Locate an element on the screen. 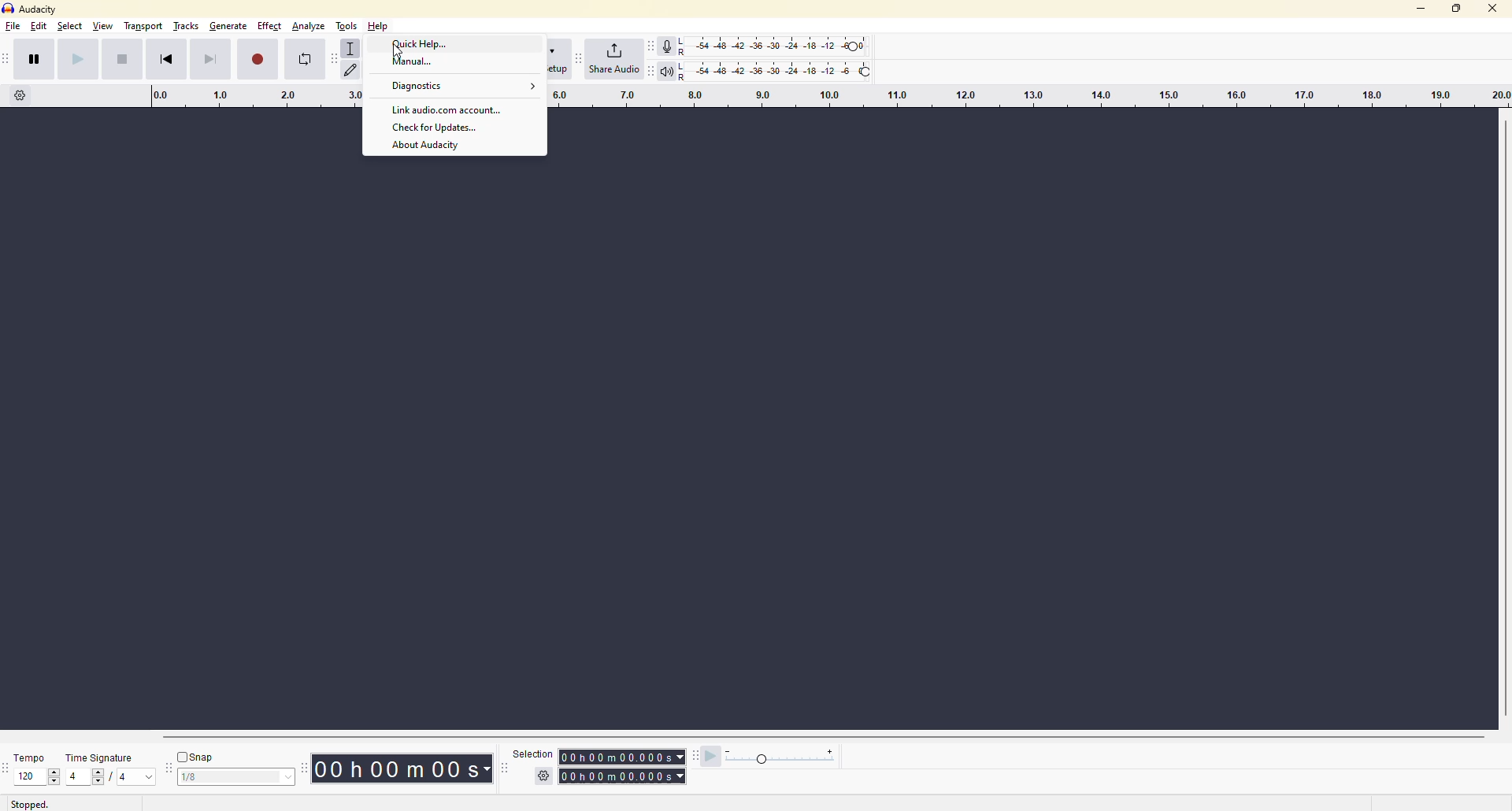  about is located at coordinates (434, 146).